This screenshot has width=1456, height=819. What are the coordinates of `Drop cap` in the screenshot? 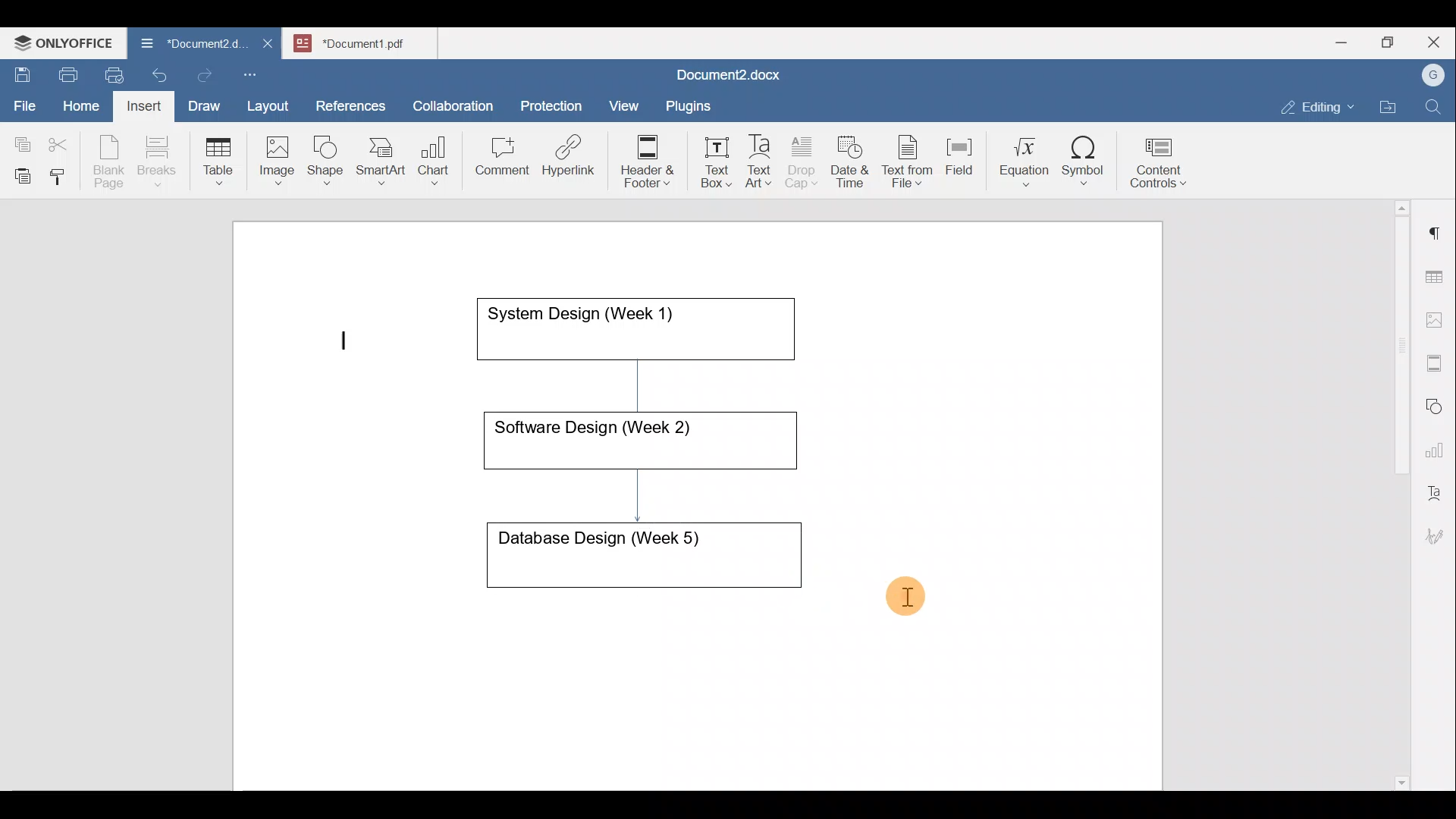 It's located at (805, 160).